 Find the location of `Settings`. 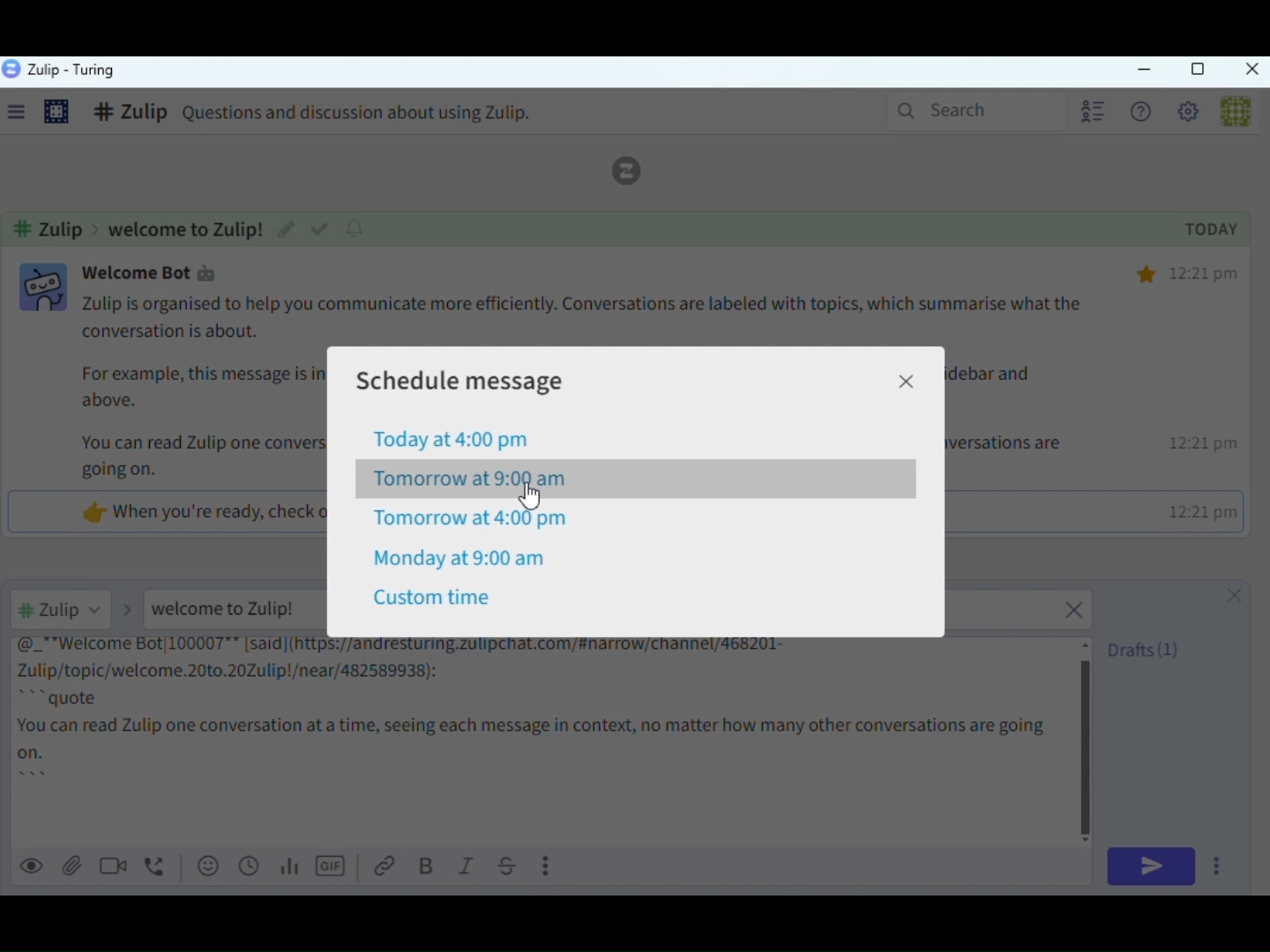

Settings is located at coordinates (58, 114).